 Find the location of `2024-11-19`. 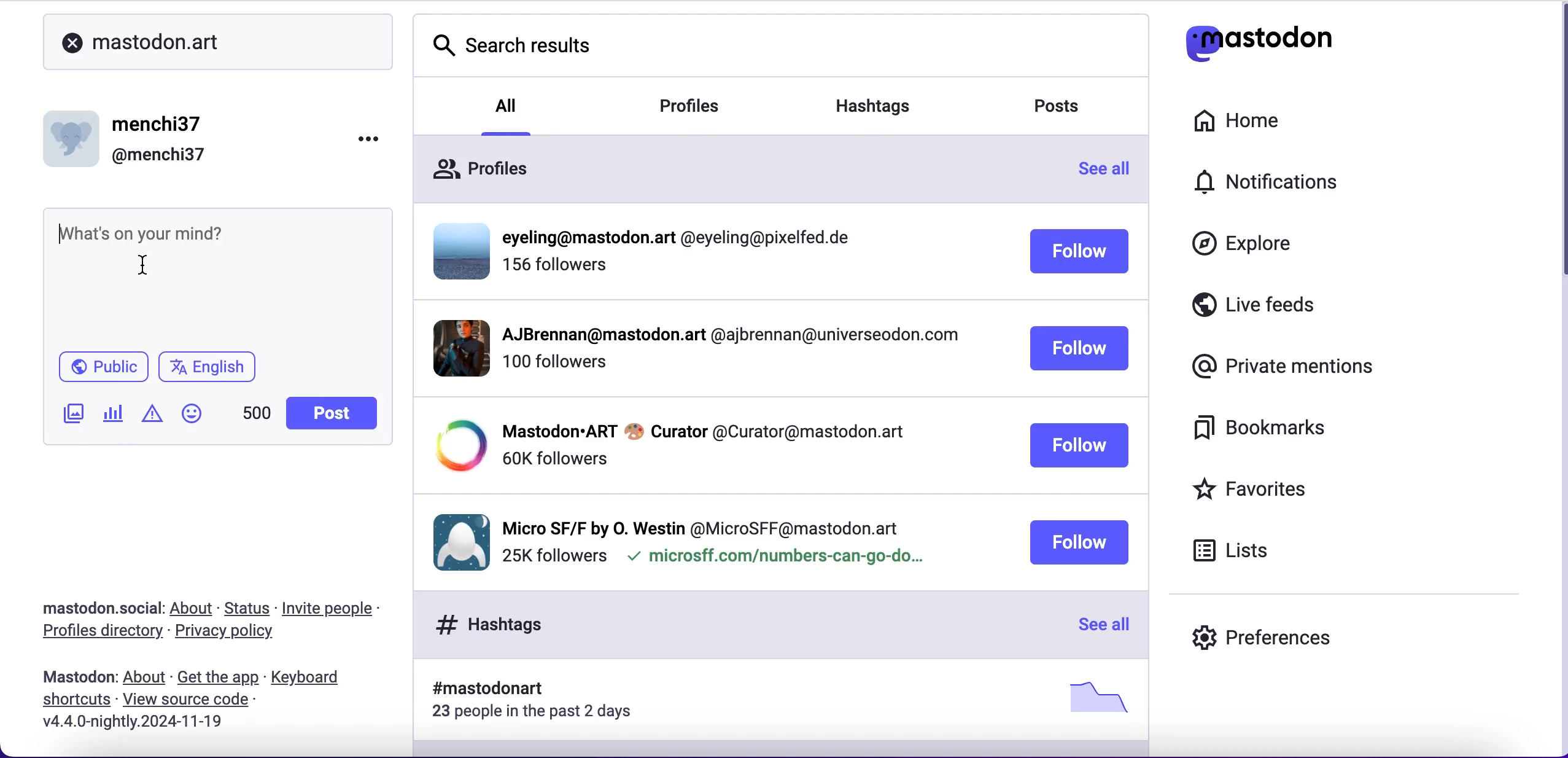

2024-11-19 is located at coordinates (166, 726).